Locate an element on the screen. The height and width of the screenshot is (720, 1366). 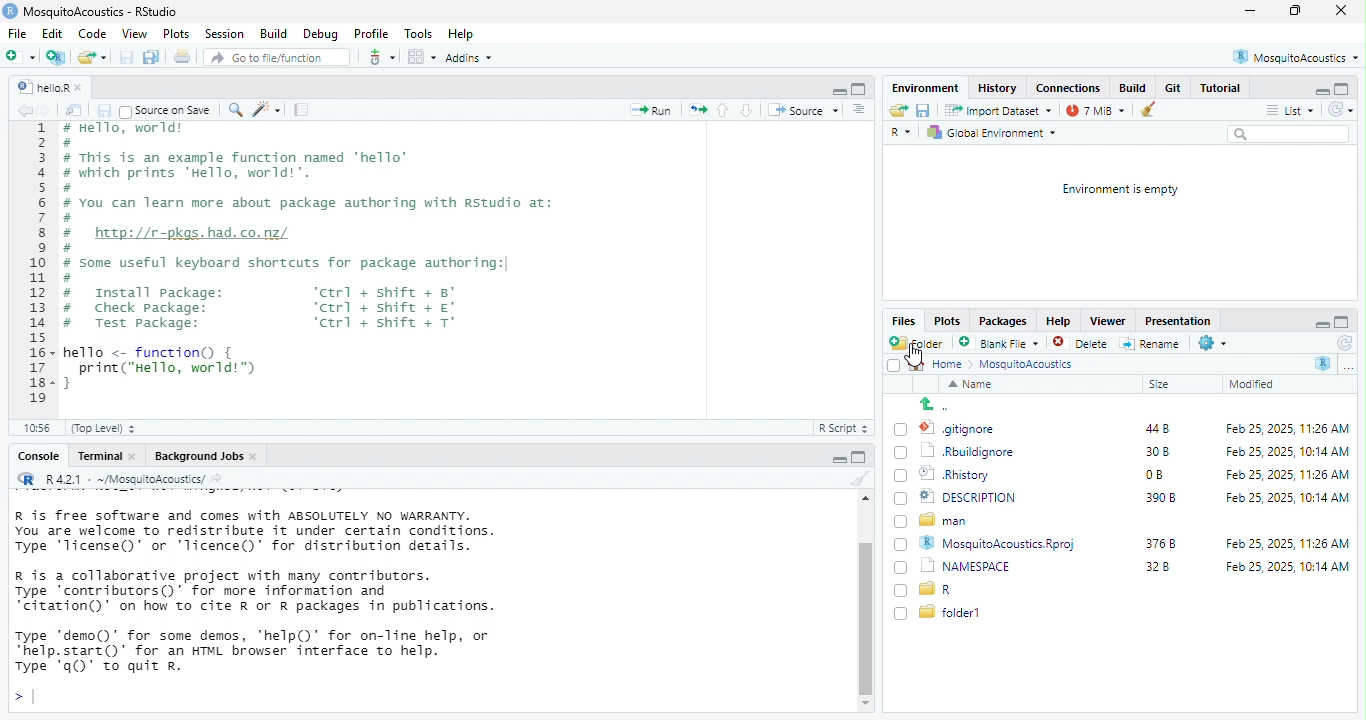
hide console is located at coordinates (1341, 87).